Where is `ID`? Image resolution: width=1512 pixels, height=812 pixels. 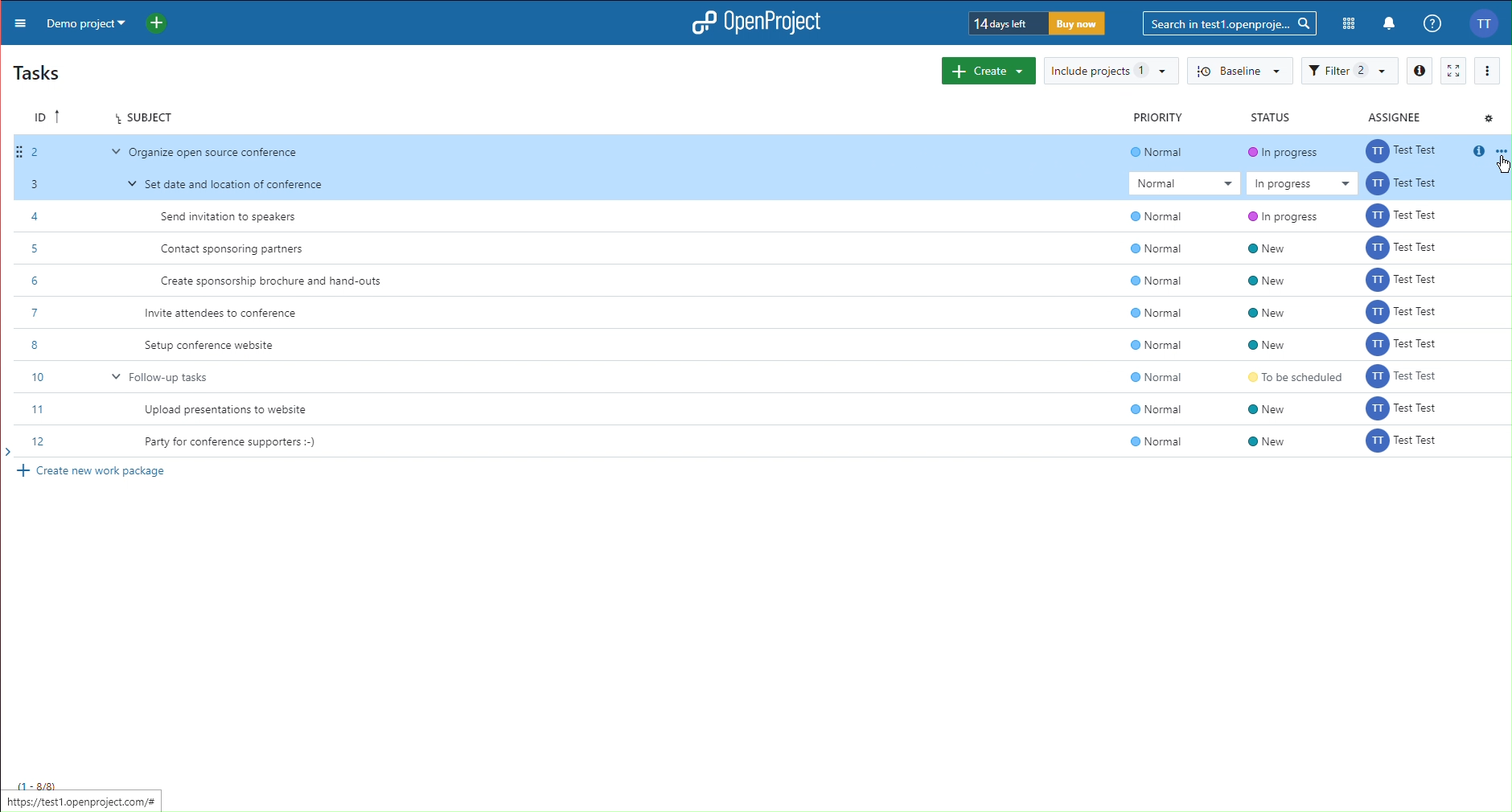 ID is located at coordinates (39, 115).